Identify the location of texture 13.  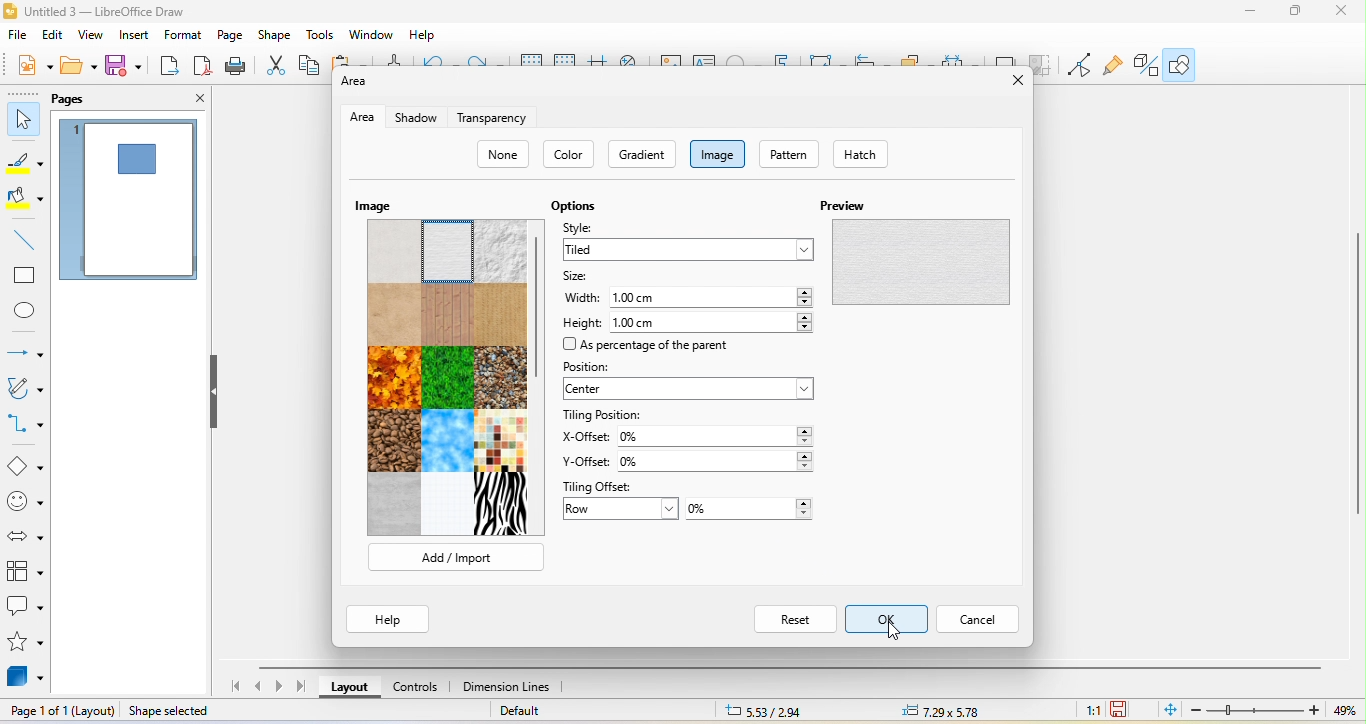
(394, 505).